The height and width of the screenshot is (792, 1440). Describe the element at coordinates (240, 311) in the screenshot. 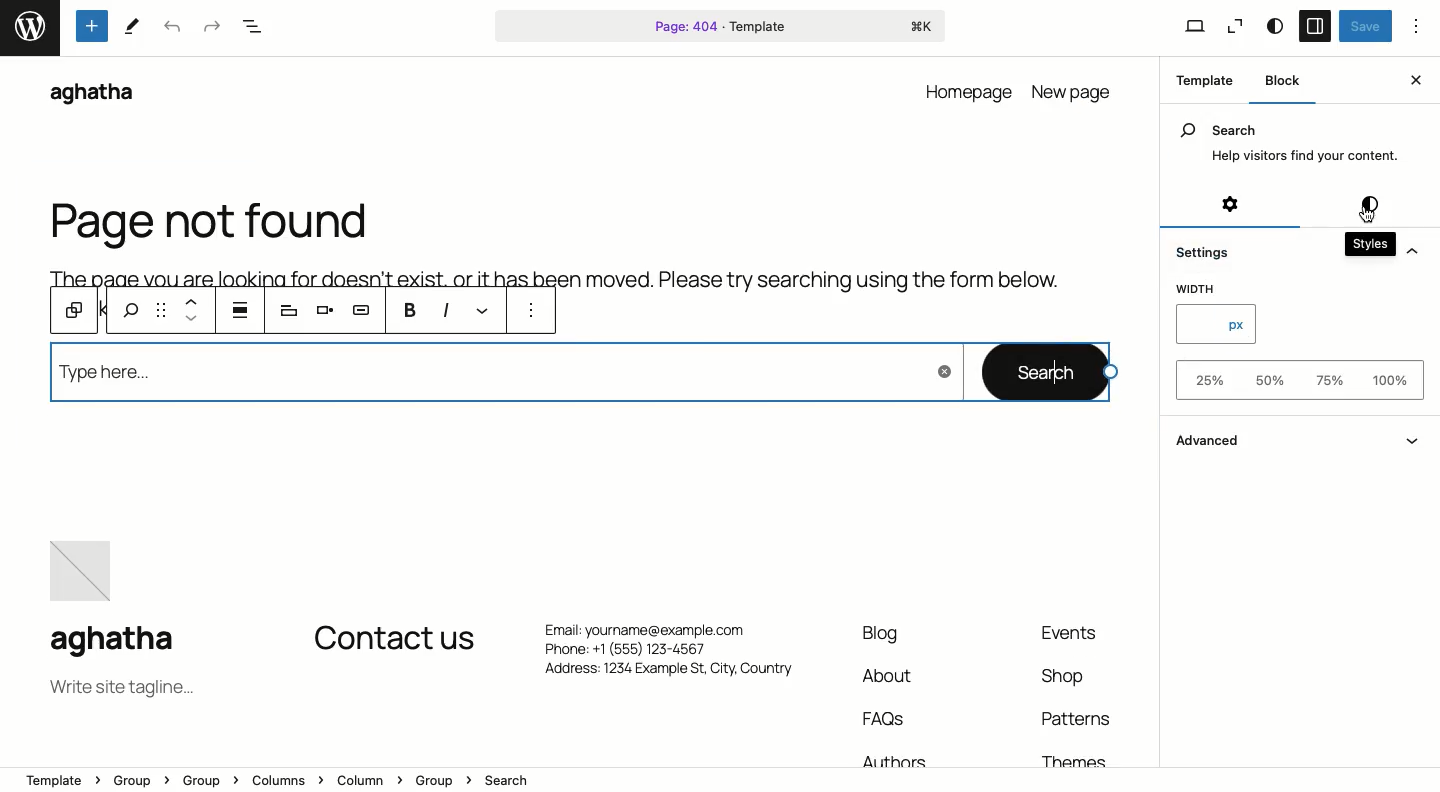

I see `justification` at that location.